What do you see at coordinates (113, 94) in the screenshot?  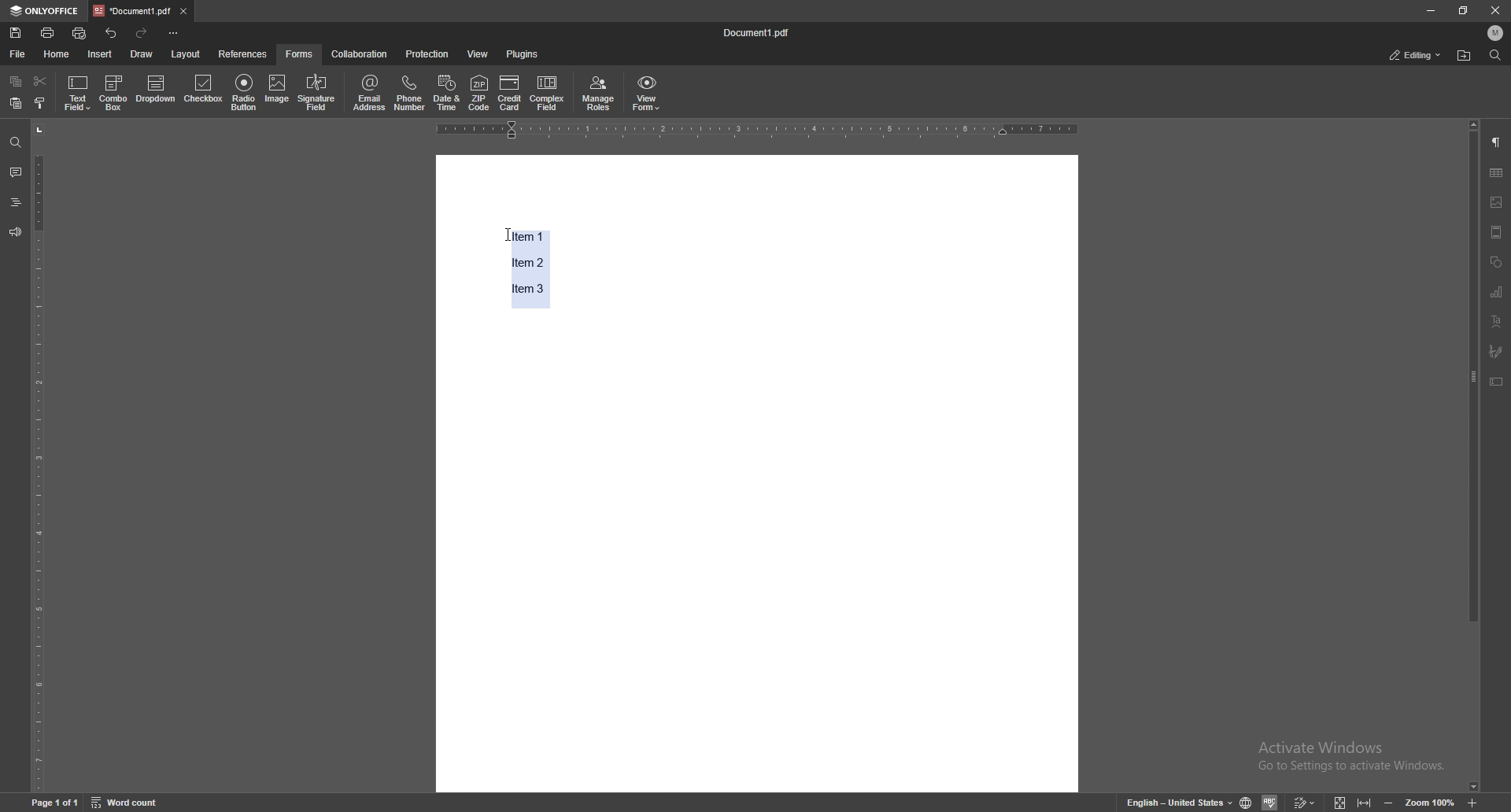 I see `combo box` at bounding box center [113, 94].